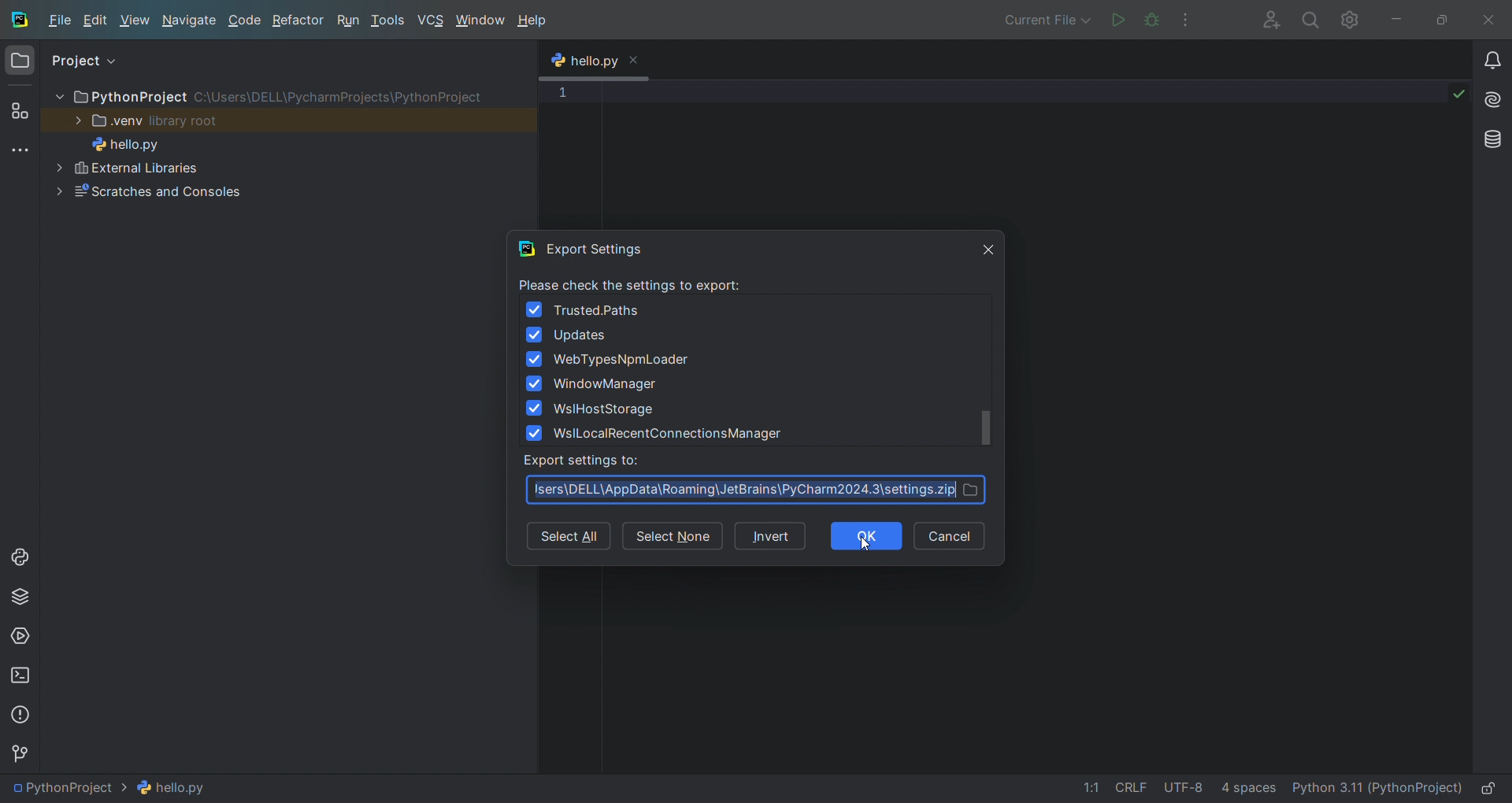  I want to click on minimize, so click(1395, 18).